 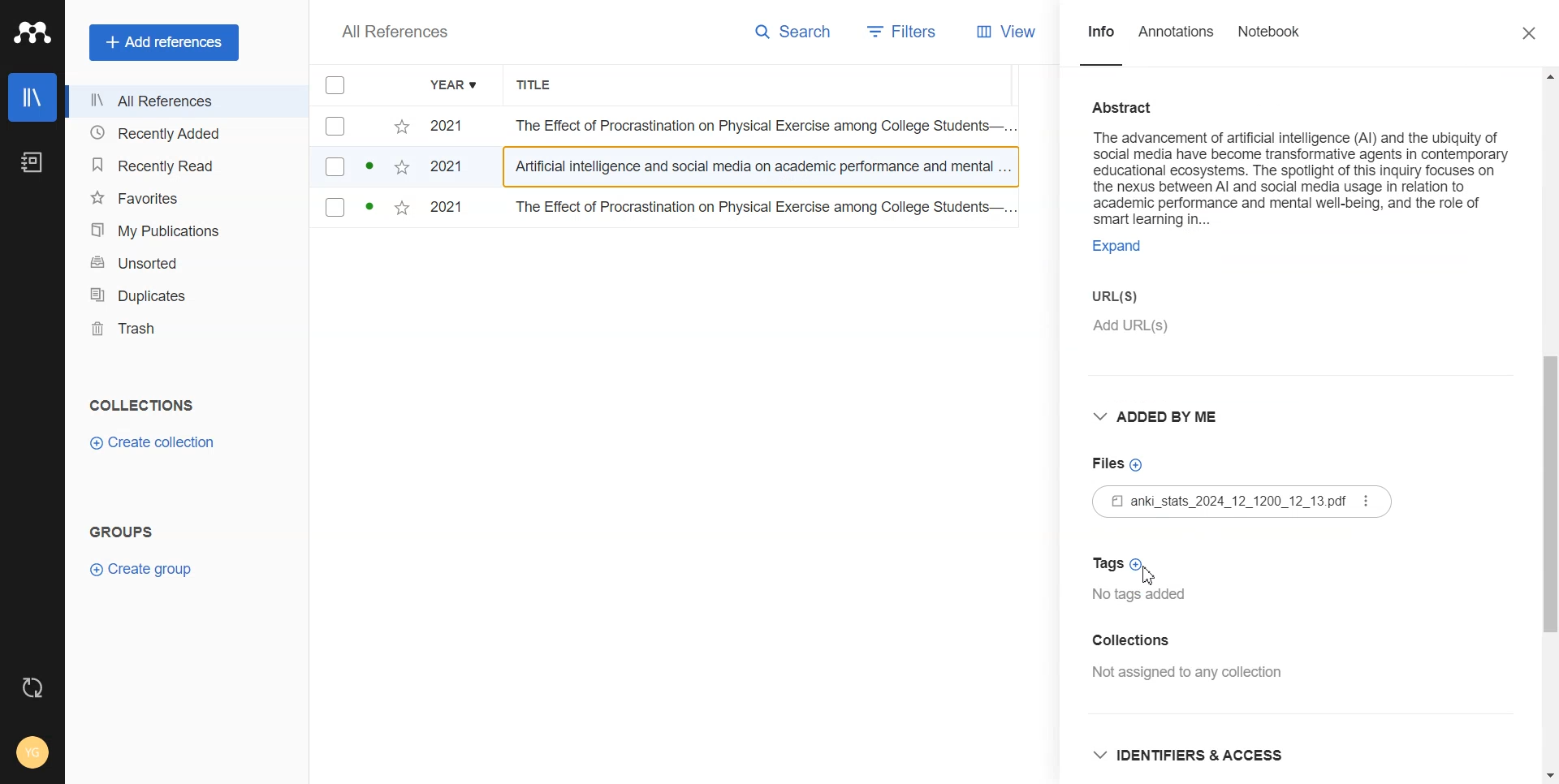 What do you see at coordinates (797, 32) in the screenshot?
I see `Search` at bounding box center [797, 32].